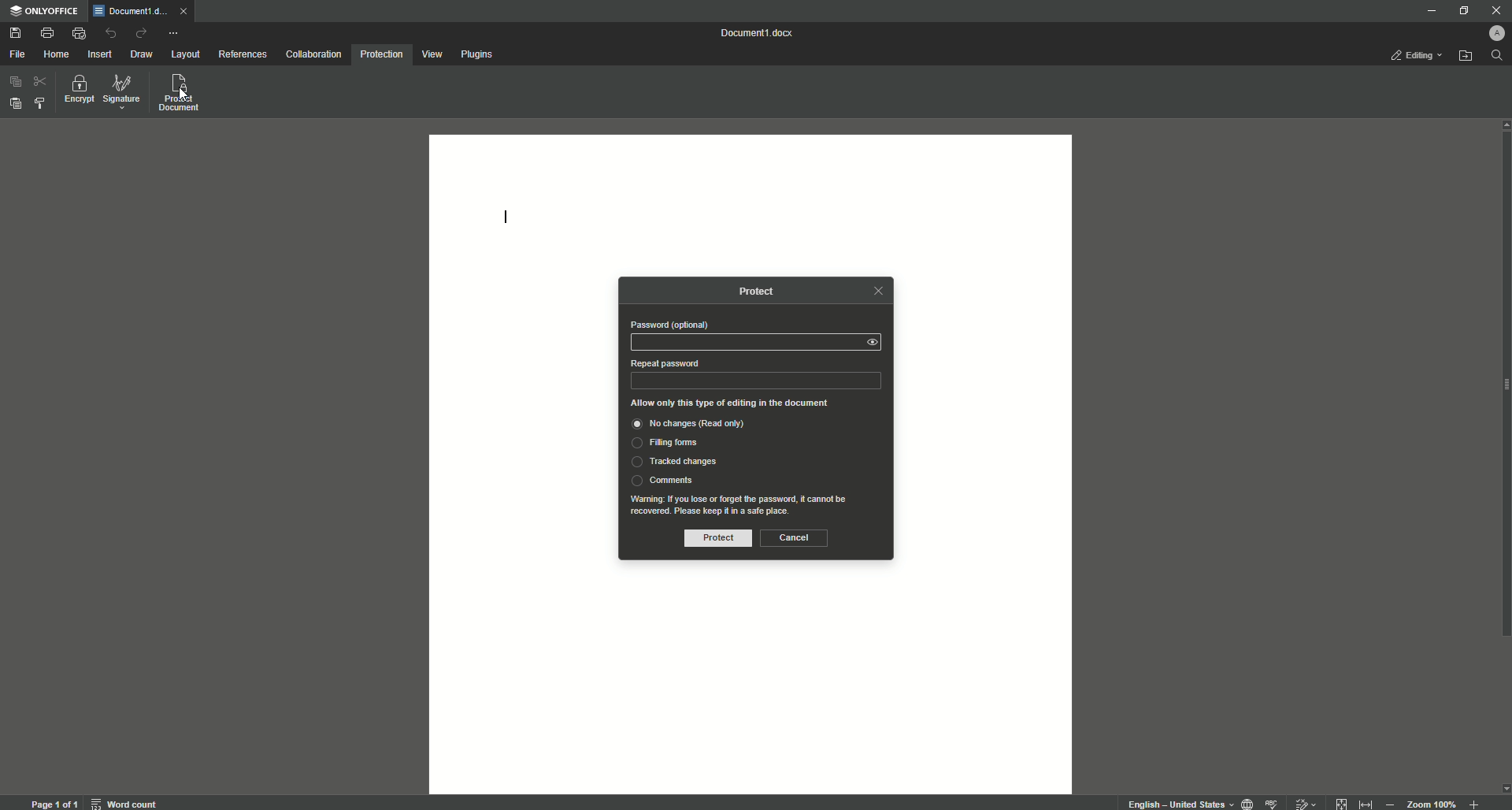 The image size is (1512, 810). What do you see at coordinates (1429, 12) in the screenshot?
I see `Minimize` at bounding box center [1429, 12].